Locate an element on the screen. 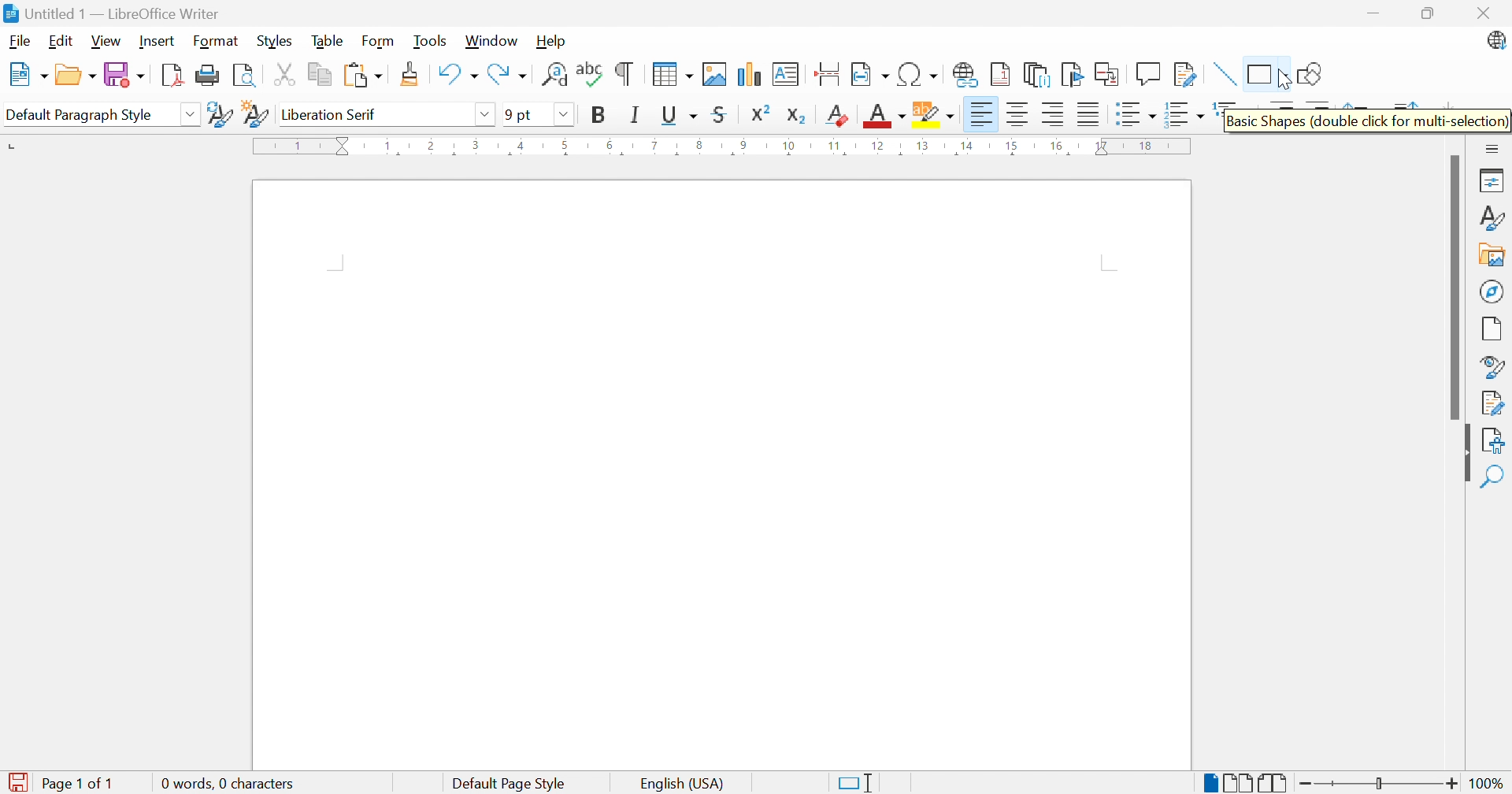 This screenshot has width=1512, height=794. Zoom in is located at coordinates (1455, 784).